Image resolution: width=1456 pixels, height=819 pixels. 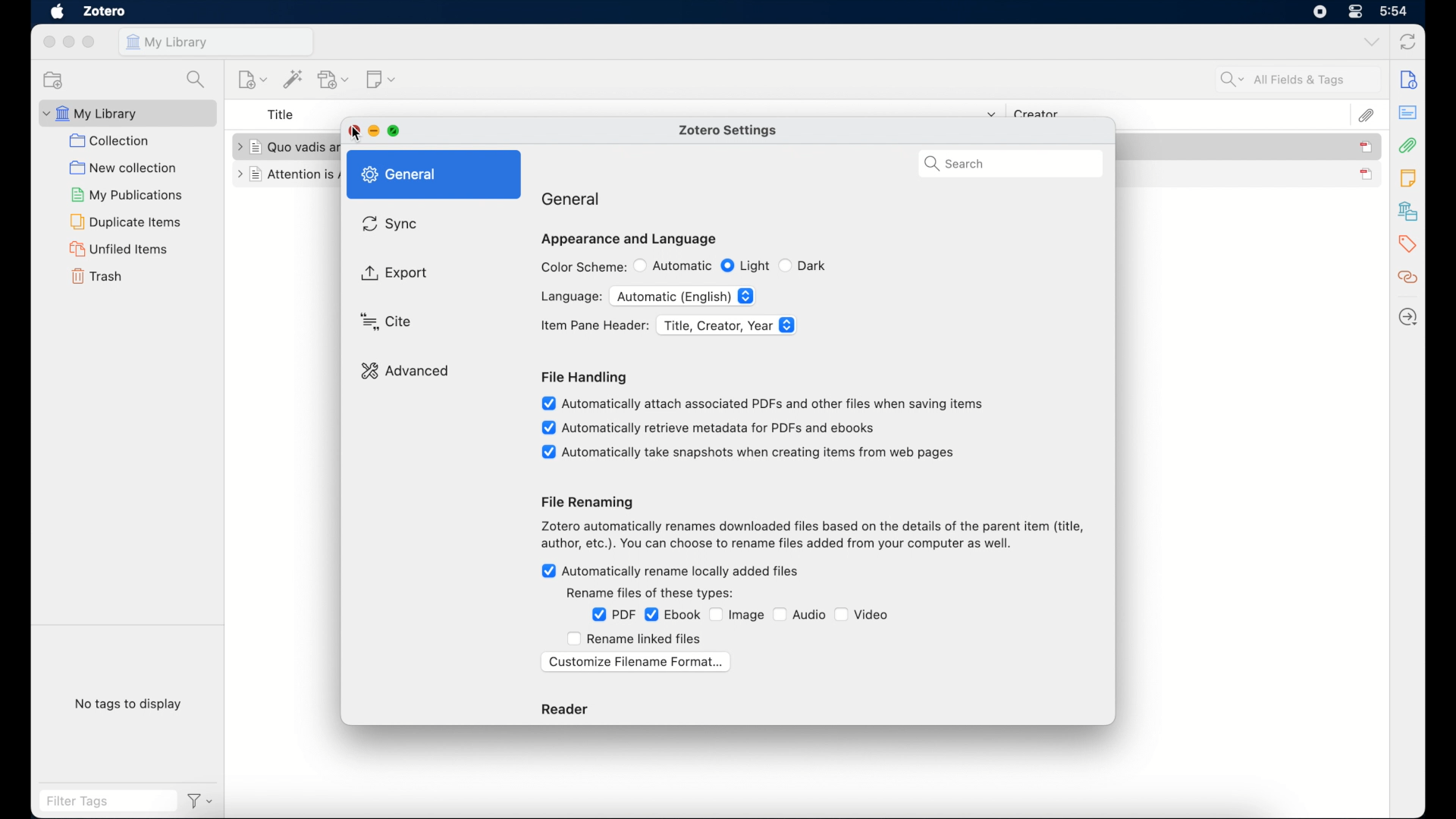 I want to click on filter dropdown menu, so click(x=200, y=801).